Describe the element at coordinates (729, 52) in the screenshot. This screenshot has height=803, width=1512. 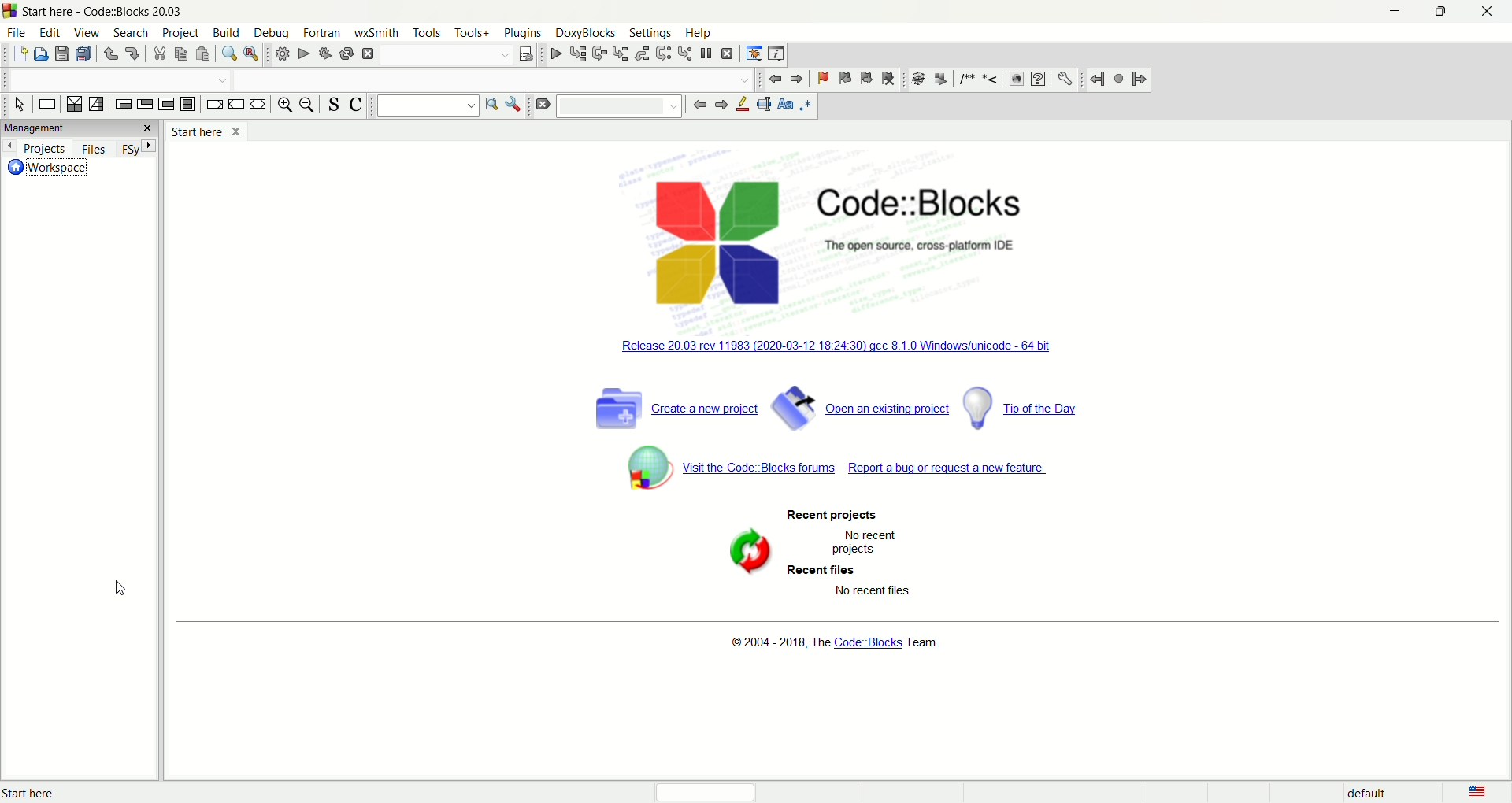
I see `stop debugger` at that location.